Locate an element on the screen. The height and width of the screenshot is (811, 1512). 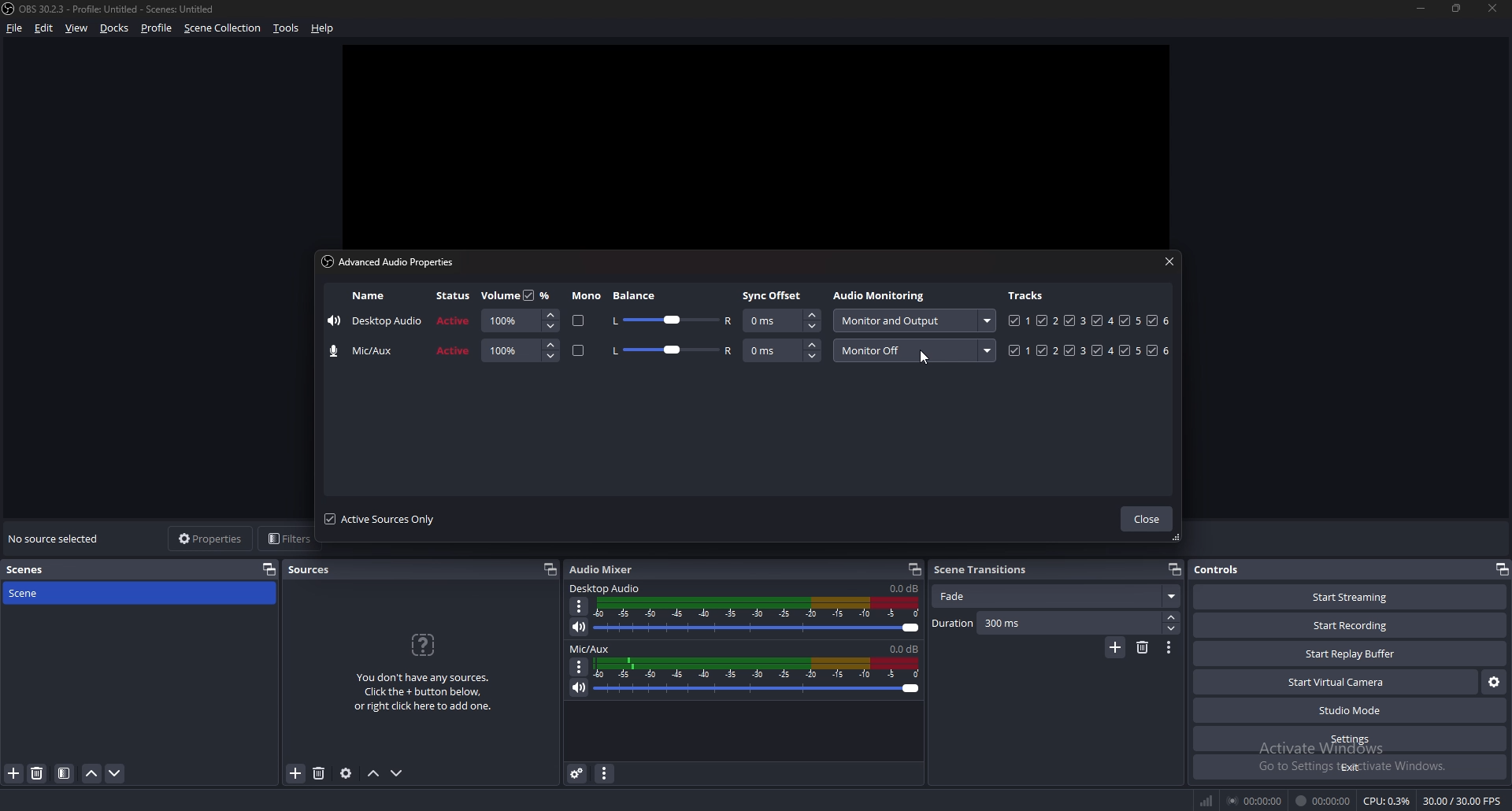
scene transitions is located at coordinates (983, 569).